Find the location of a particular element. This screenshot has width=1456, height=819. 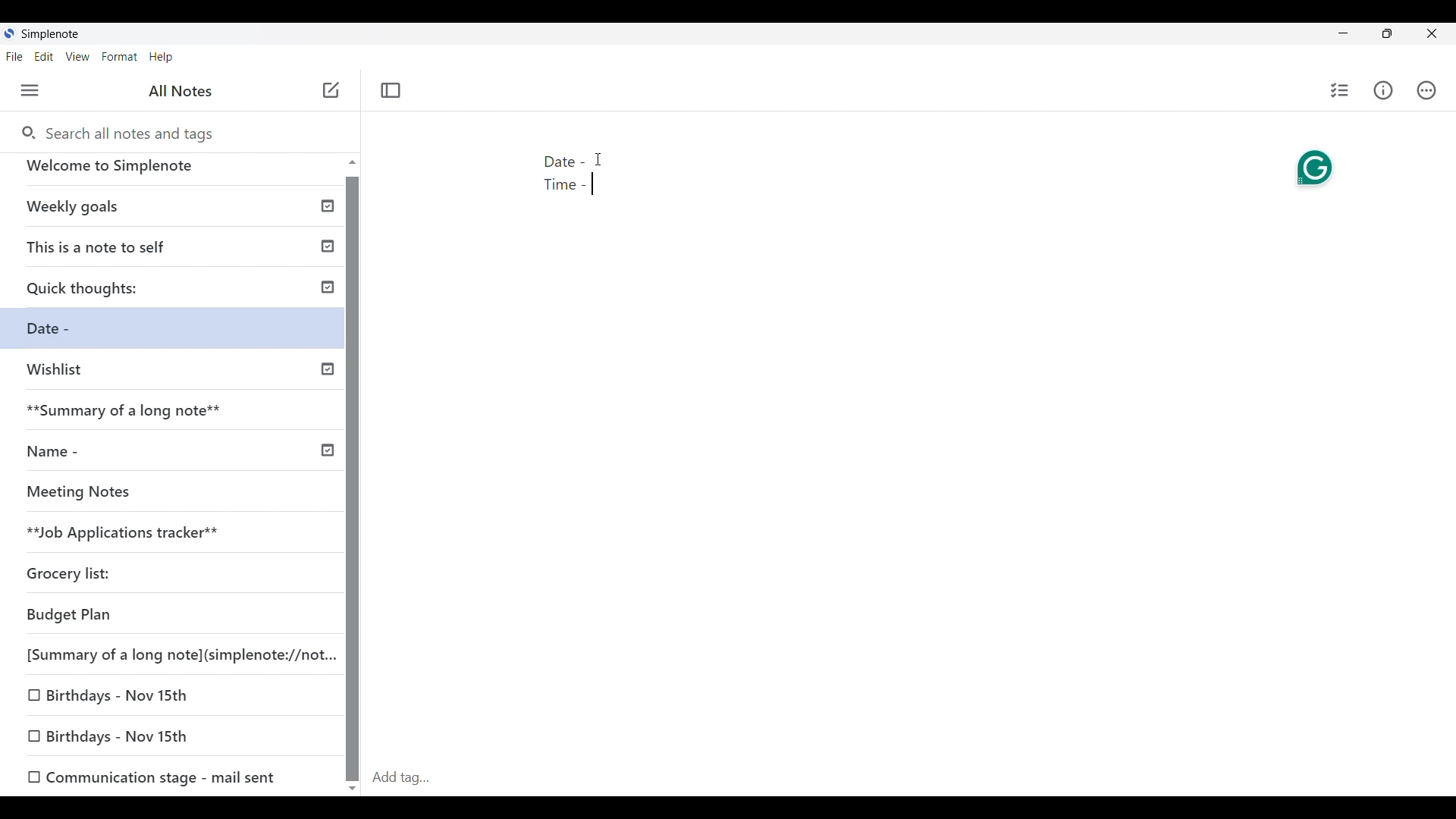

cursor is located at coordinates (600, 161).